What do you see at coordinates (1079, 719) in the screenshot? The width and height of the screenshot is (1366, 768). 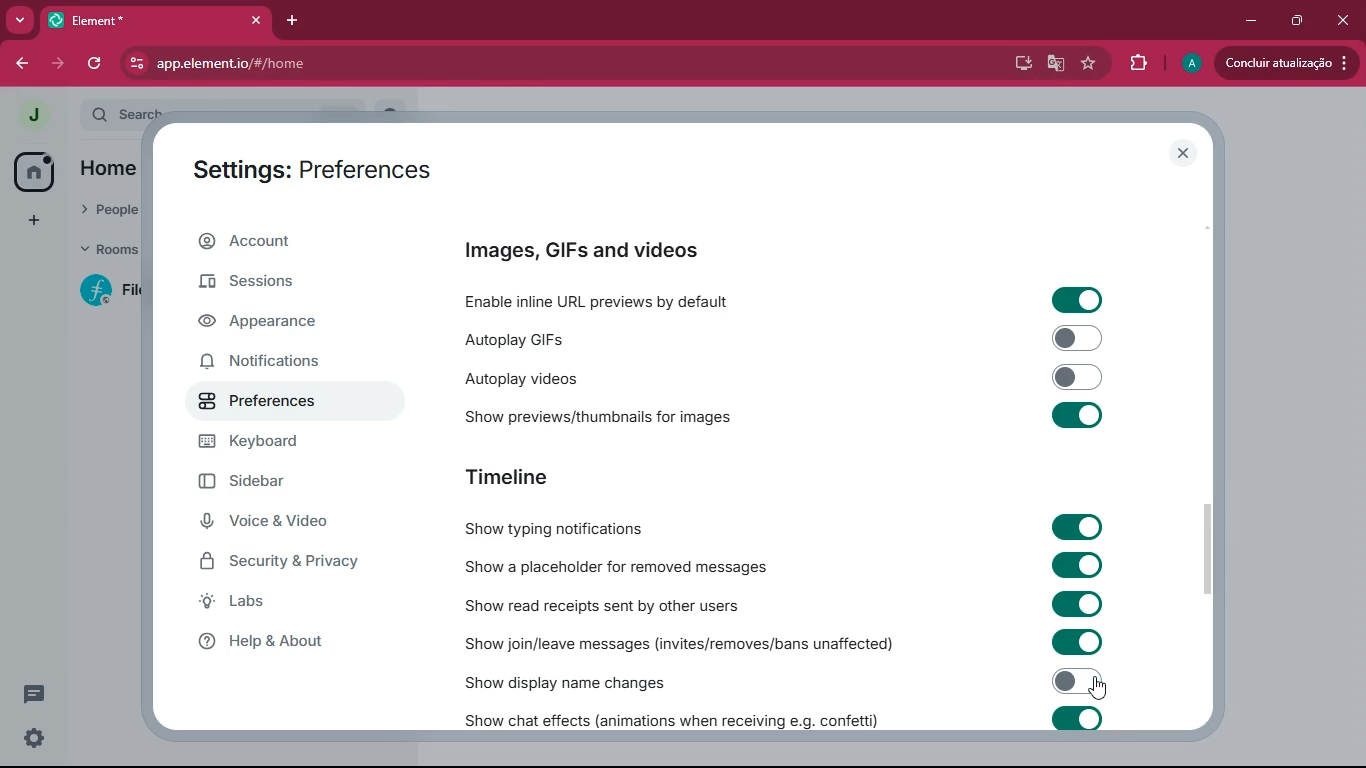 I see `toggle on/off` at bounding box center [1079, 719].